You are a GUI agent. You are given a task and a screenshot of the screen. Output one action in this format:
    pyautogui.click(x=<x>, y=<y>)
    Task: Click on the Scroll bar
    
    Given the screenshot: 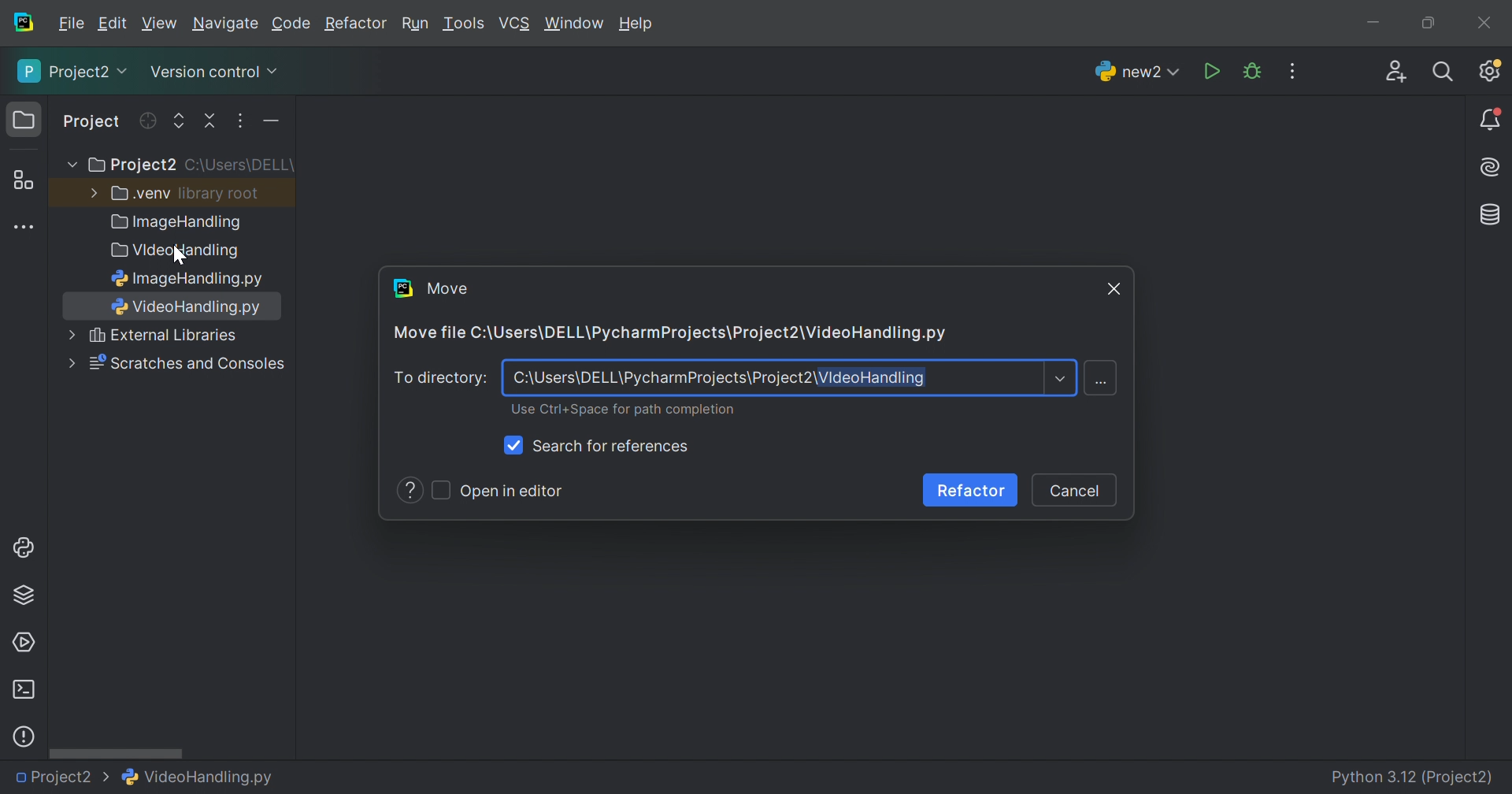 What is the action you would take?
    pyautogui.click(x=116, y=752)
    